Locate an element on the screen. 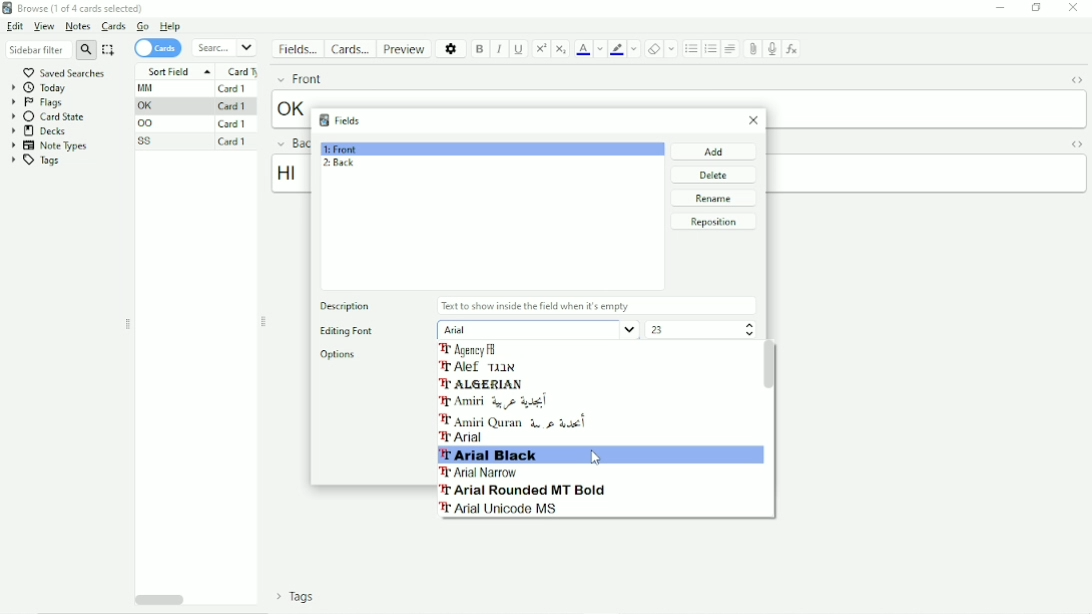  Close is located at coordinates (756, 121).